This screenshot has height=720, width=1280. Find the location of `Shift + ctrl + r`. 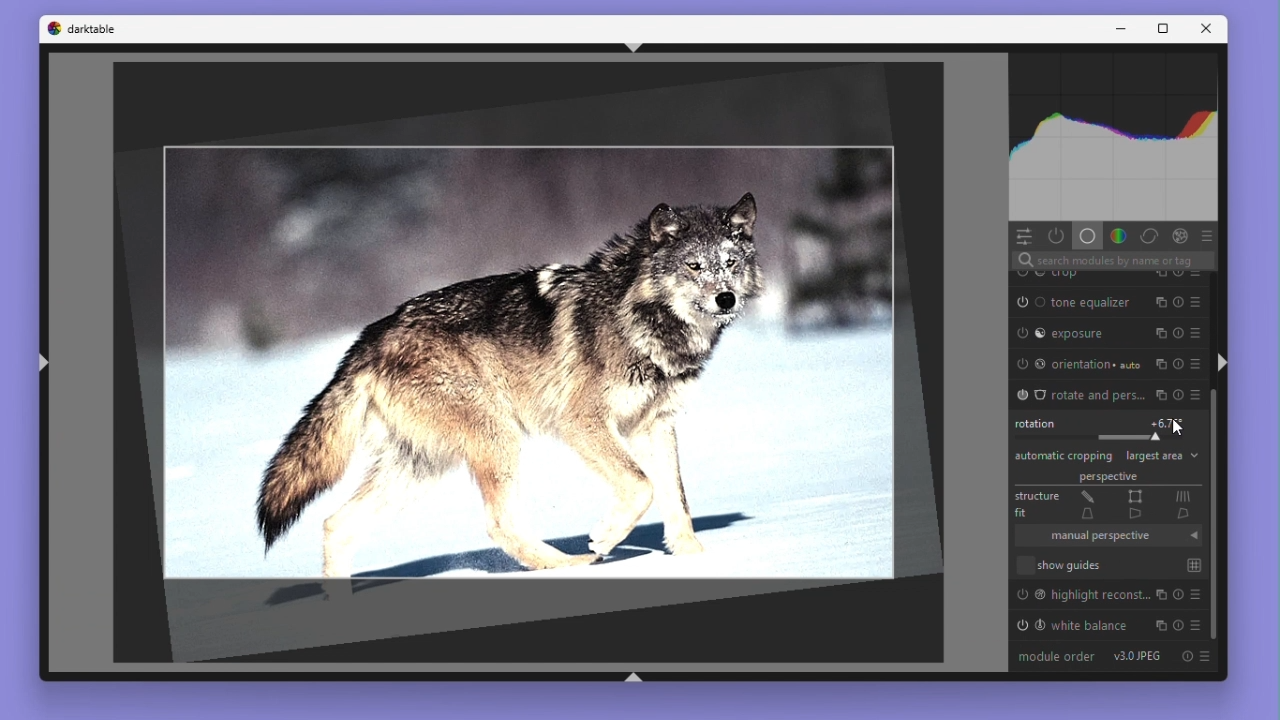

Shift + ctrl + r is located at coordinates (1223, 361).